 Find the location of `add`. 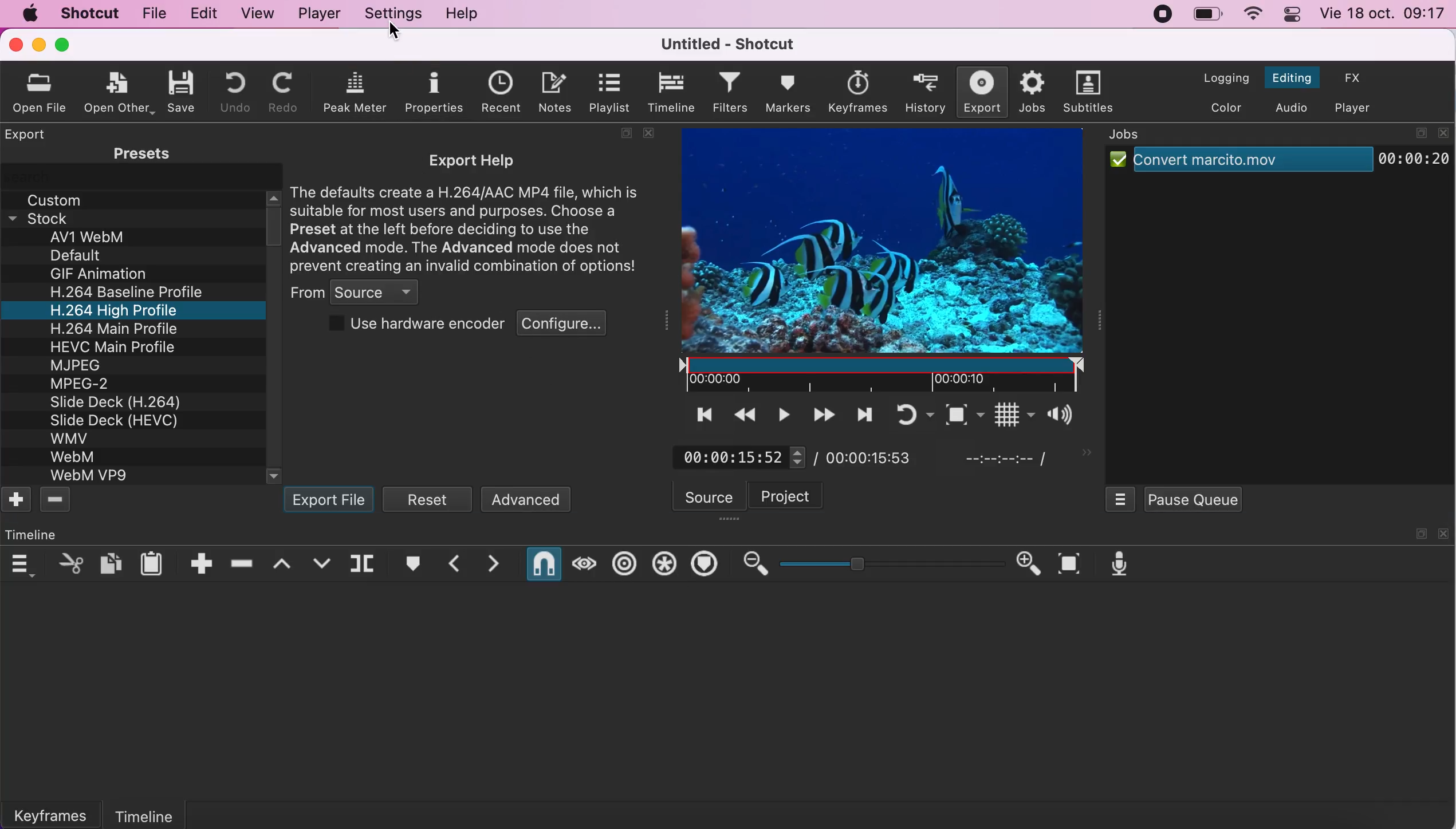

add is located at coordinates (17, 502).